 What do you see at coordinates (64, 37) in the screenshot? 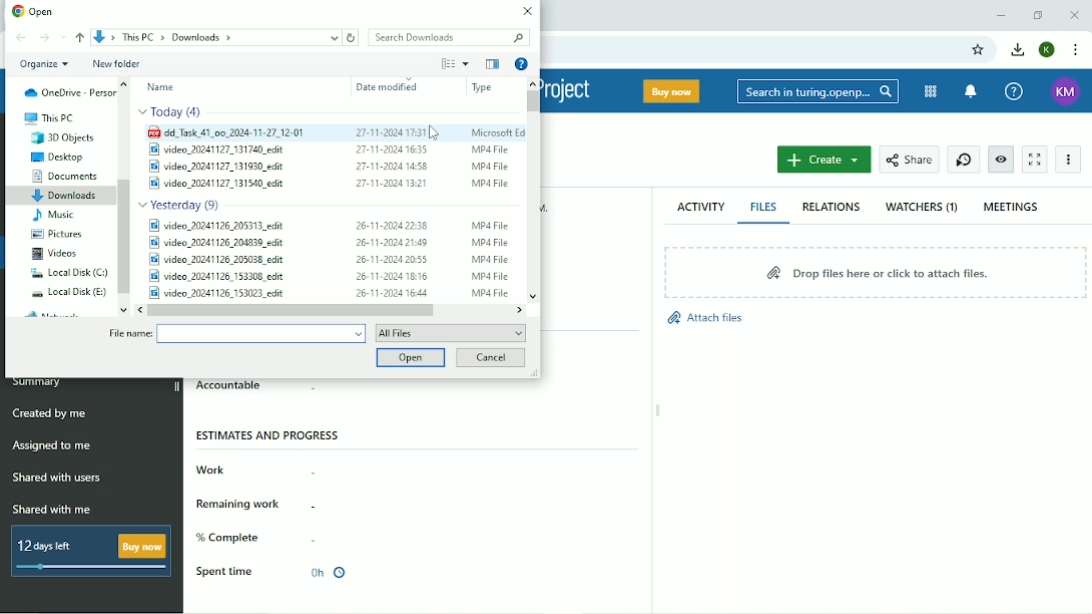
I see `Recent locations` at bounding box center [64, 37].